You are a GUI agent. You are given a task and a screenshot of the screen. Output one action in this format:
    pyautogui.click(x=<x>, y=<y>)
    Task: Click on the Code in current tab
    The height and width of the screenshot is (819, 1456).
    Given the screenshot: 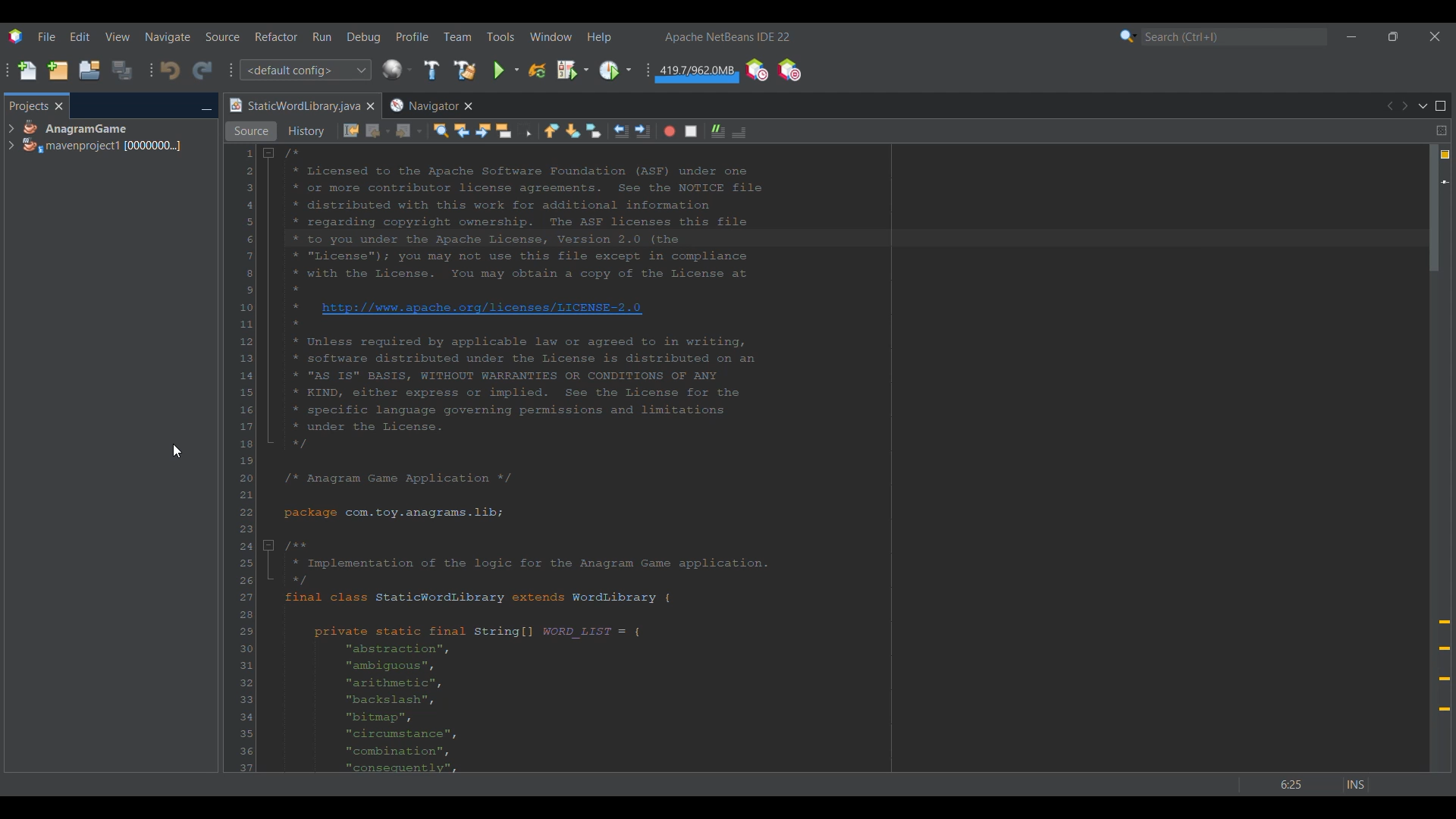 What is the action you would take?
    pyautogui.click(x=824, y=457)
    